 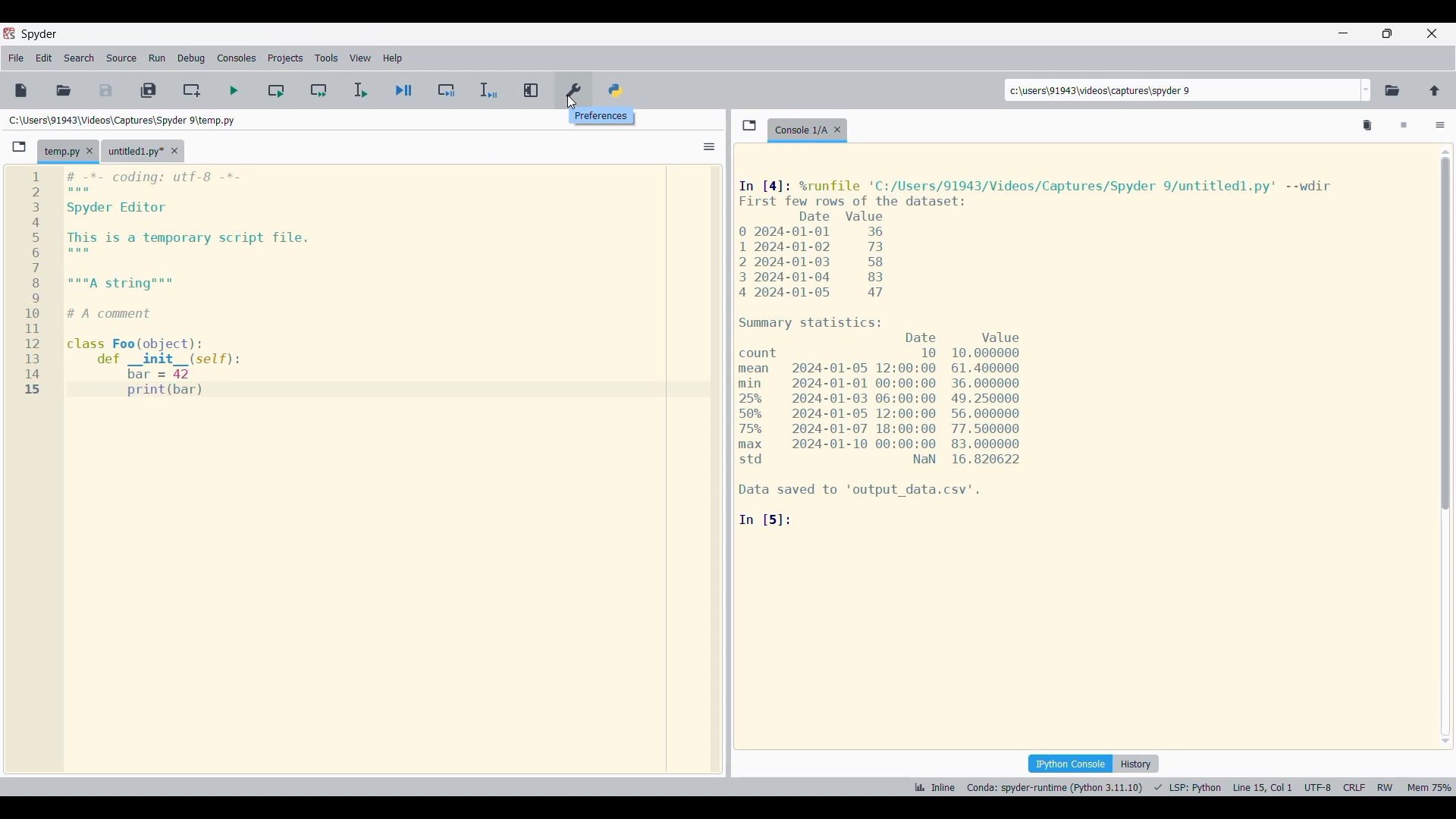 What do you see at coordinates (1367, 90) in the screenshot?
I see `Location options` at bounding box center [1367, 90].